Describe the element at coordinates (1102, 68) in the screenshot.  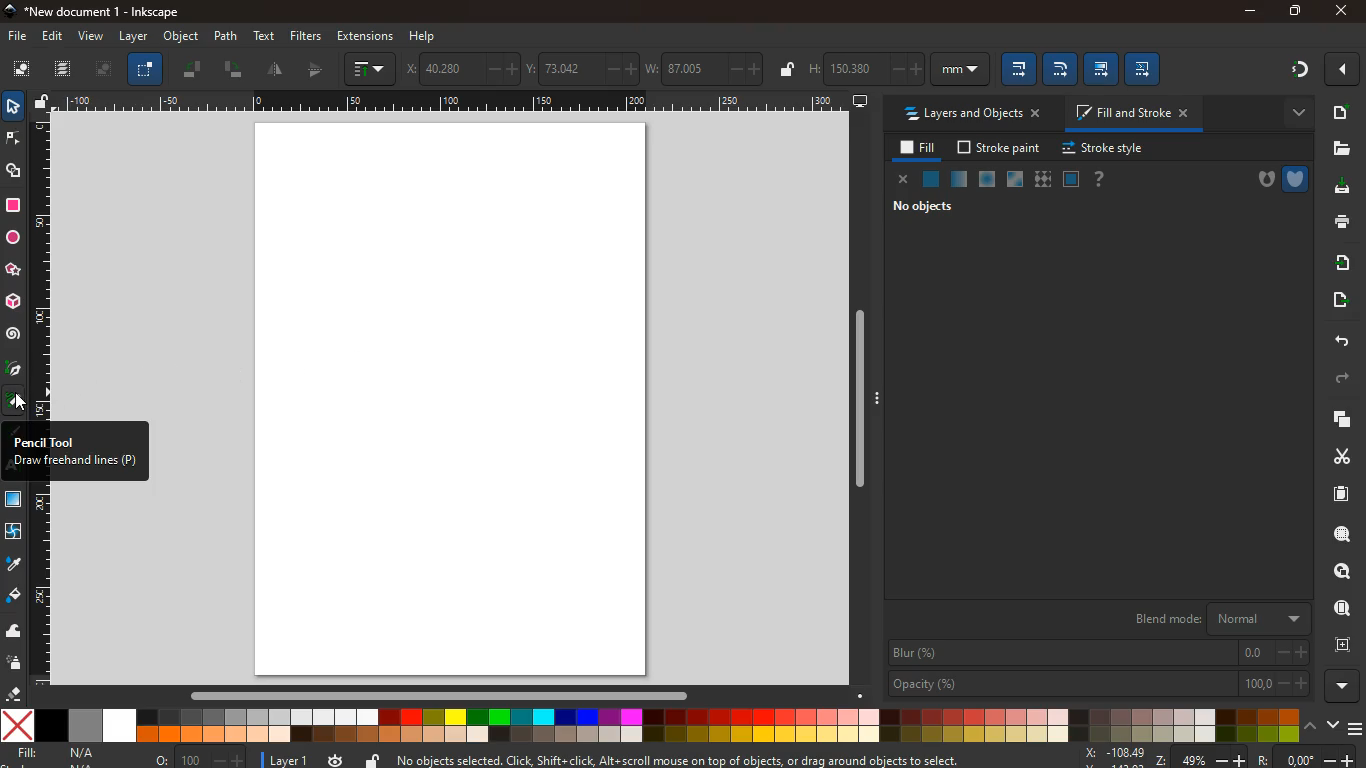
I see `edit` at that location.